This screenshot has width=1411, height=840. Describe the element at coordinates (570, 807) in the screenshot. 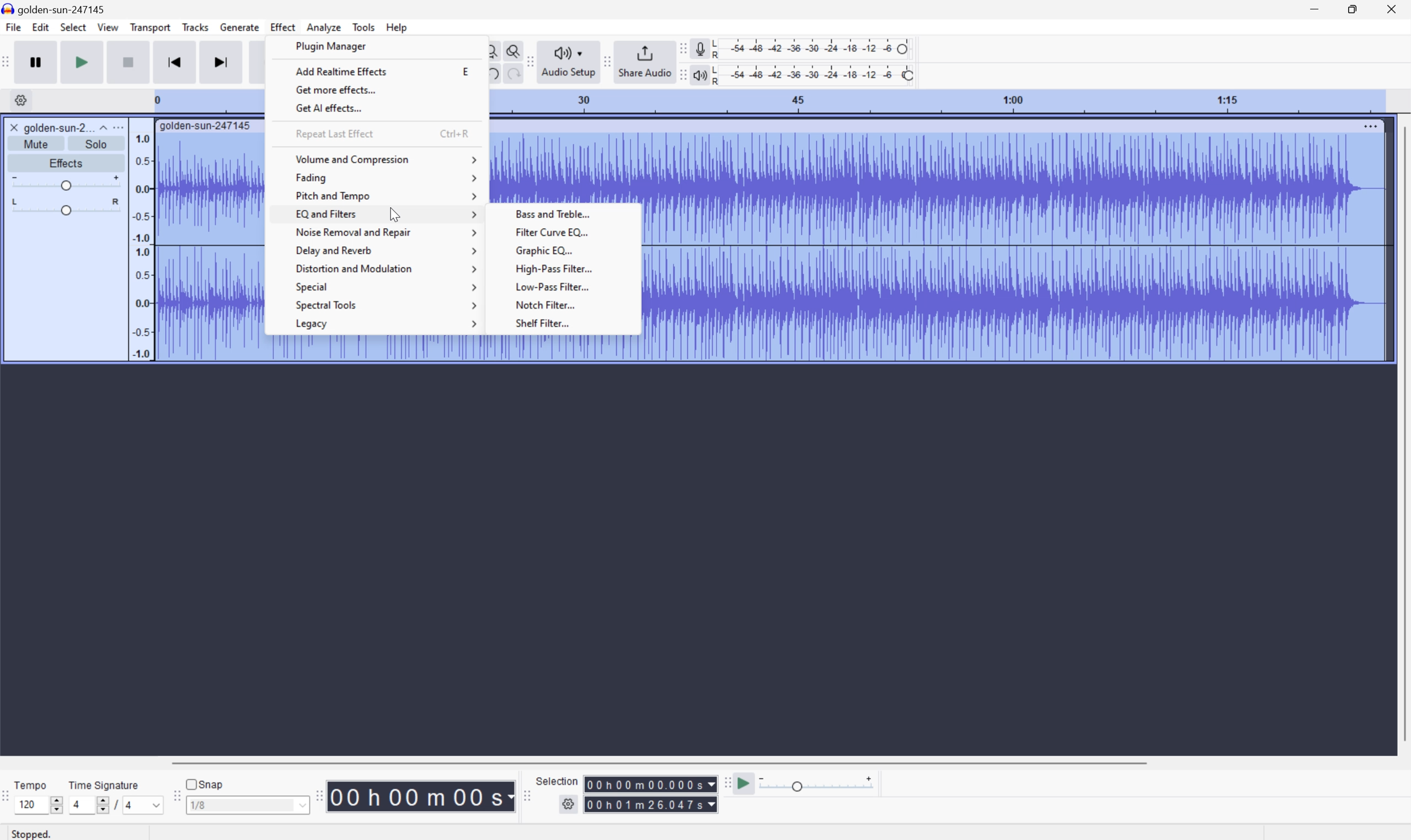

I see `Settings` at that location.